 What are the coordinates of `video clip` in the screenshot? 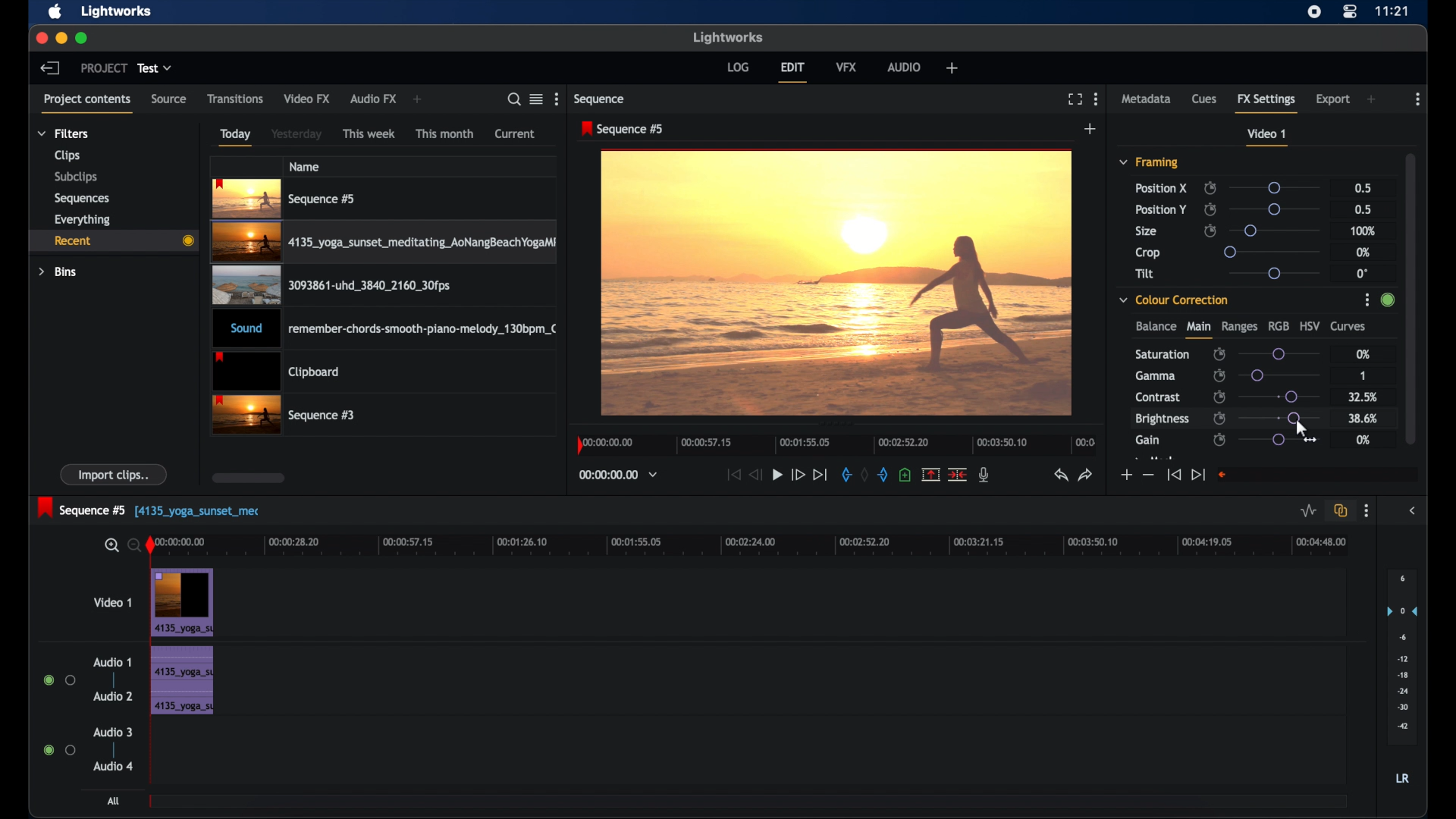 It's located at (285, 416).